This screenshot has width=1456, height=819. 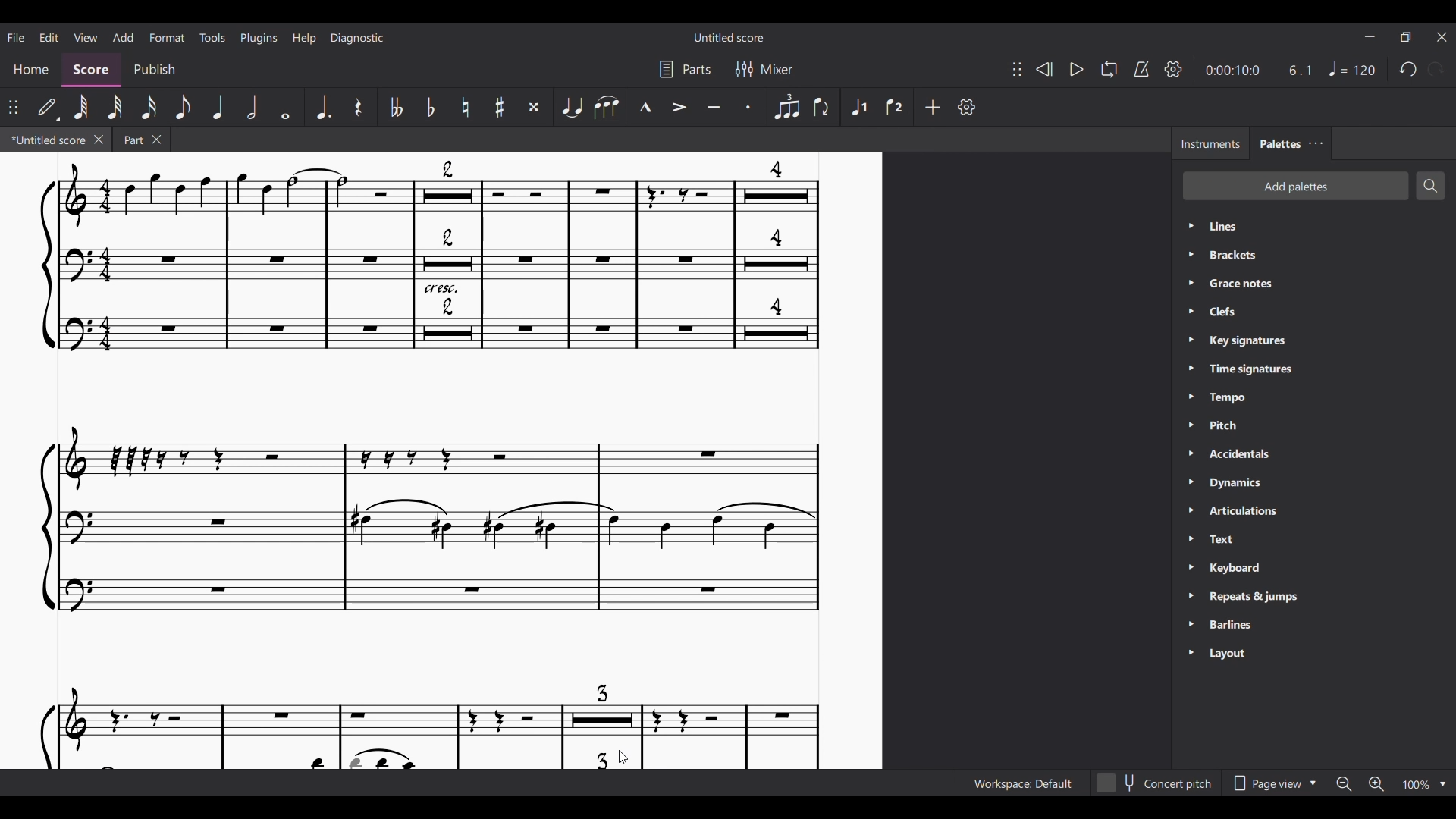 I want to click on Play, so click(x=1076, y=70).